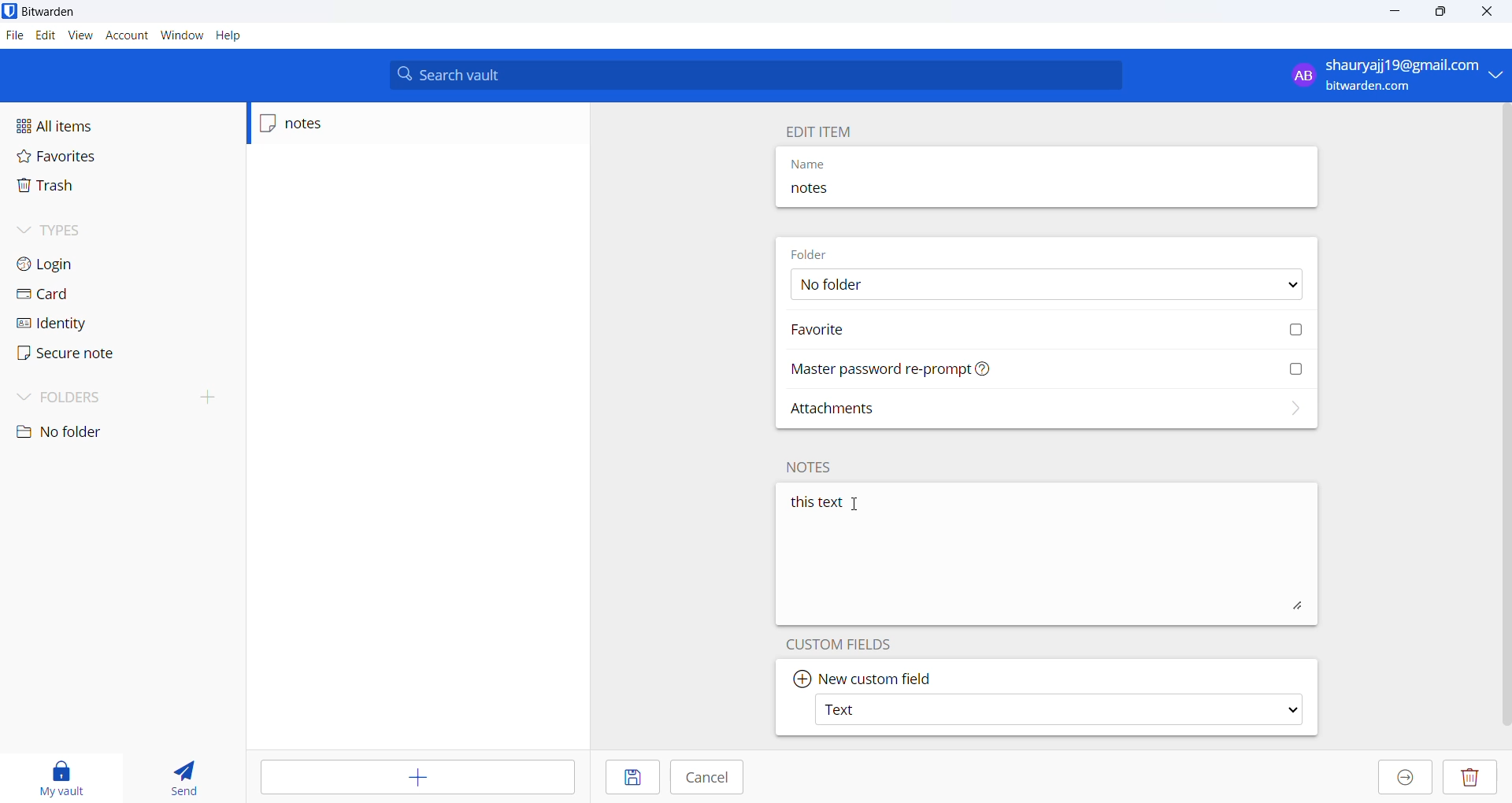 The width and height of the screenshot is (1512, 803). What do you see at coordinates (1482, 12) in the screenshot?
I see `close` at bounding box center [1482, 12].